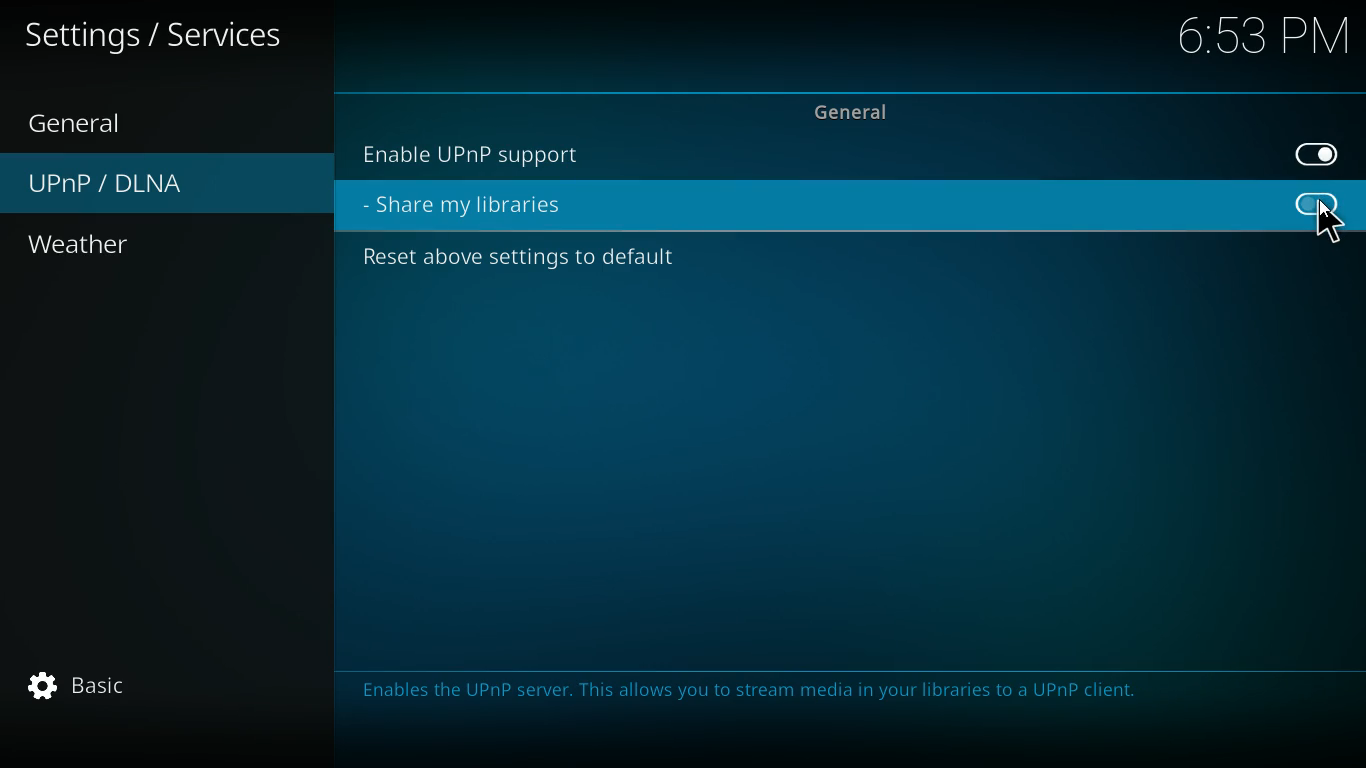 This screenshot has height=768, width=1366. I want to click on basic, so click(114, 686).